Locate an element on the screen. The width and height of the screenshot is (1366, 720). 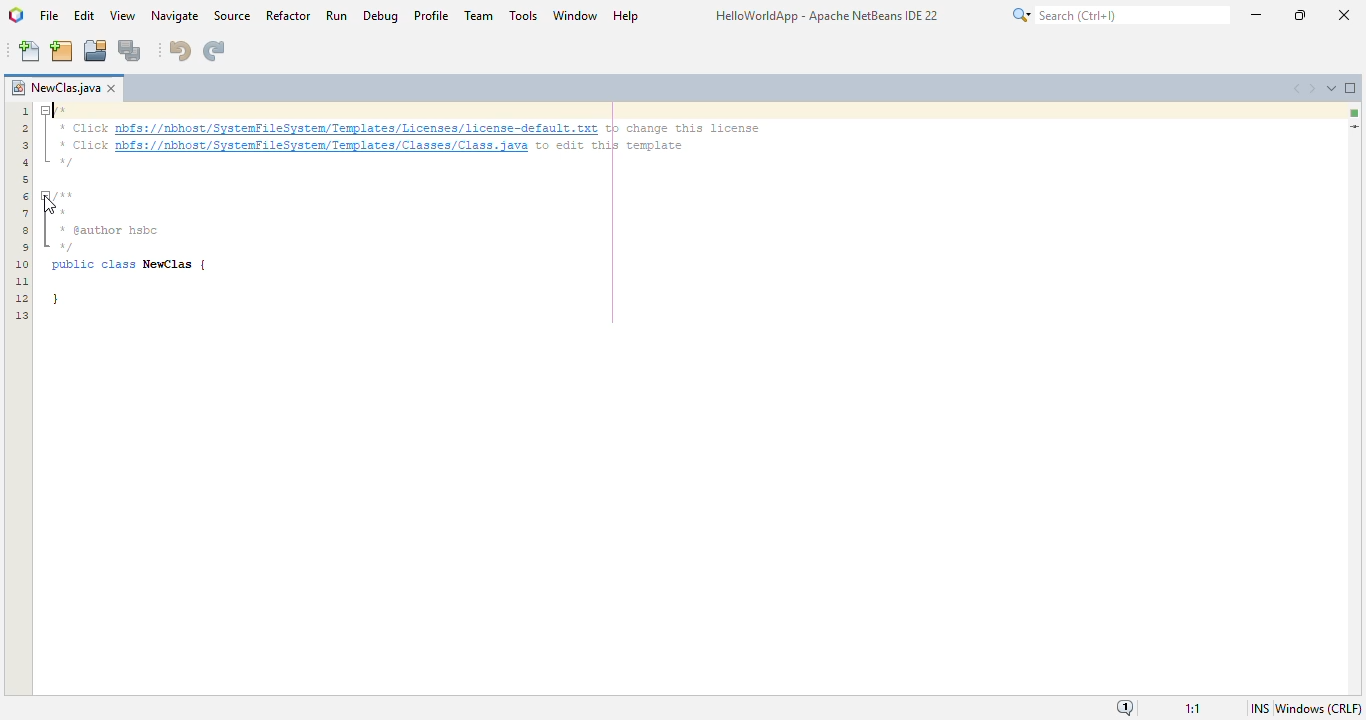
close window is located at coordinates (111, 88).